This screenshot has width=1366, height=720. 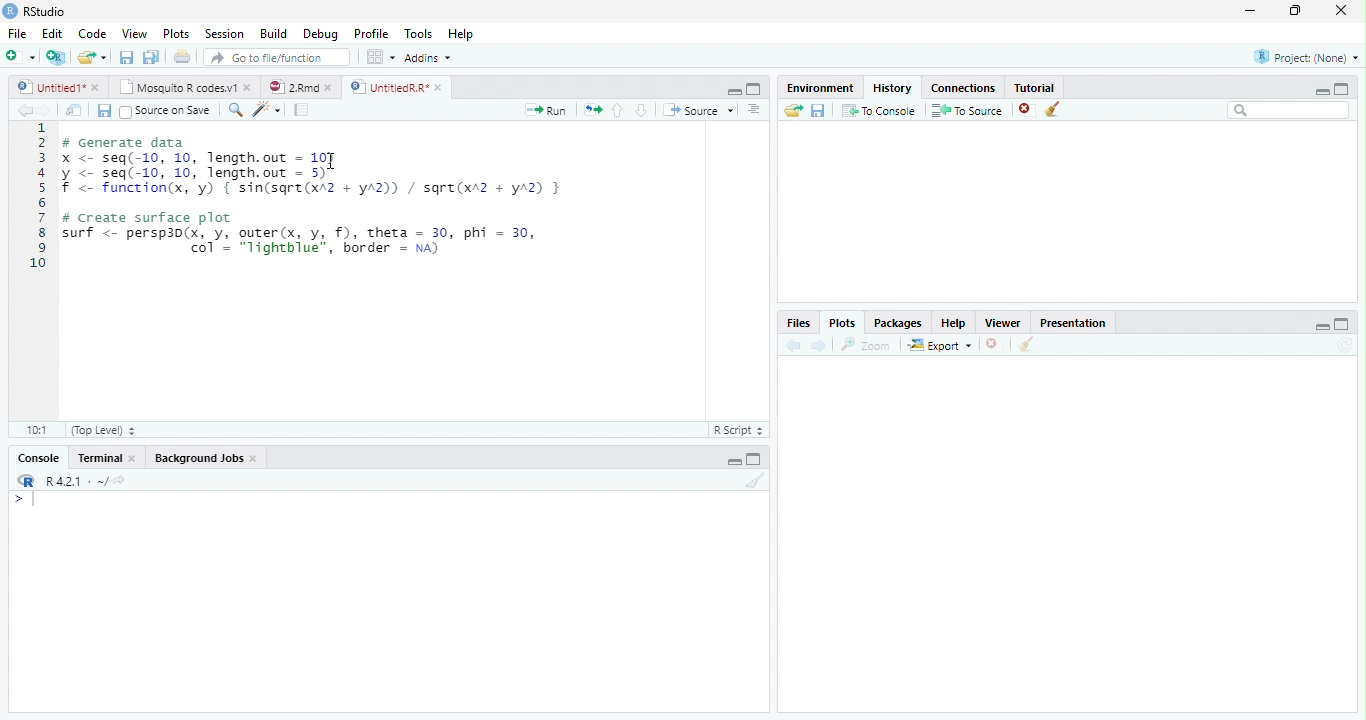 I want to click on Save current document, so click(x=103, y=110).